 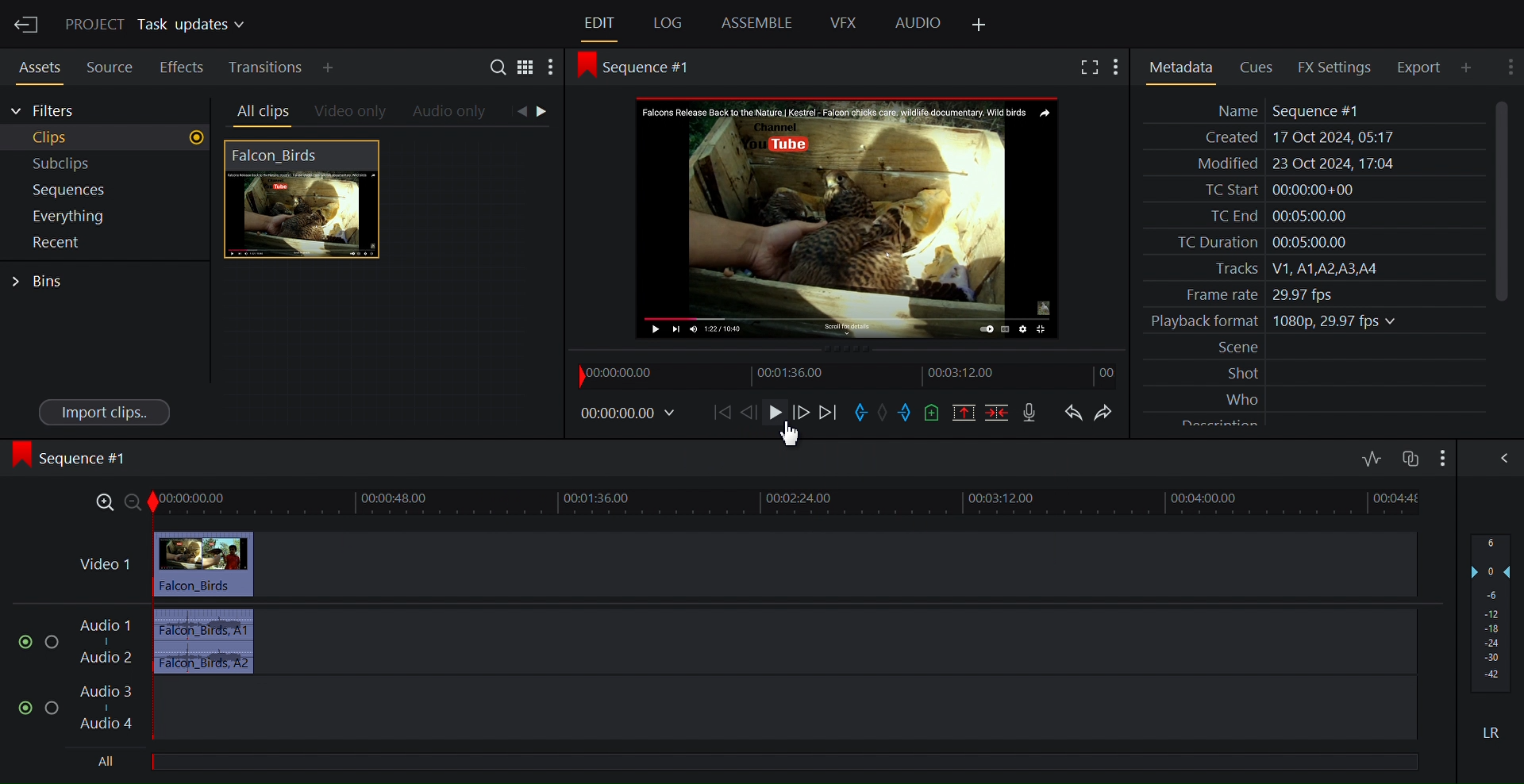 What do you see at coordinates (1409, 459) in the screenshot?
I see `Toggle audio track sync` at bounding box center [1409, 459].